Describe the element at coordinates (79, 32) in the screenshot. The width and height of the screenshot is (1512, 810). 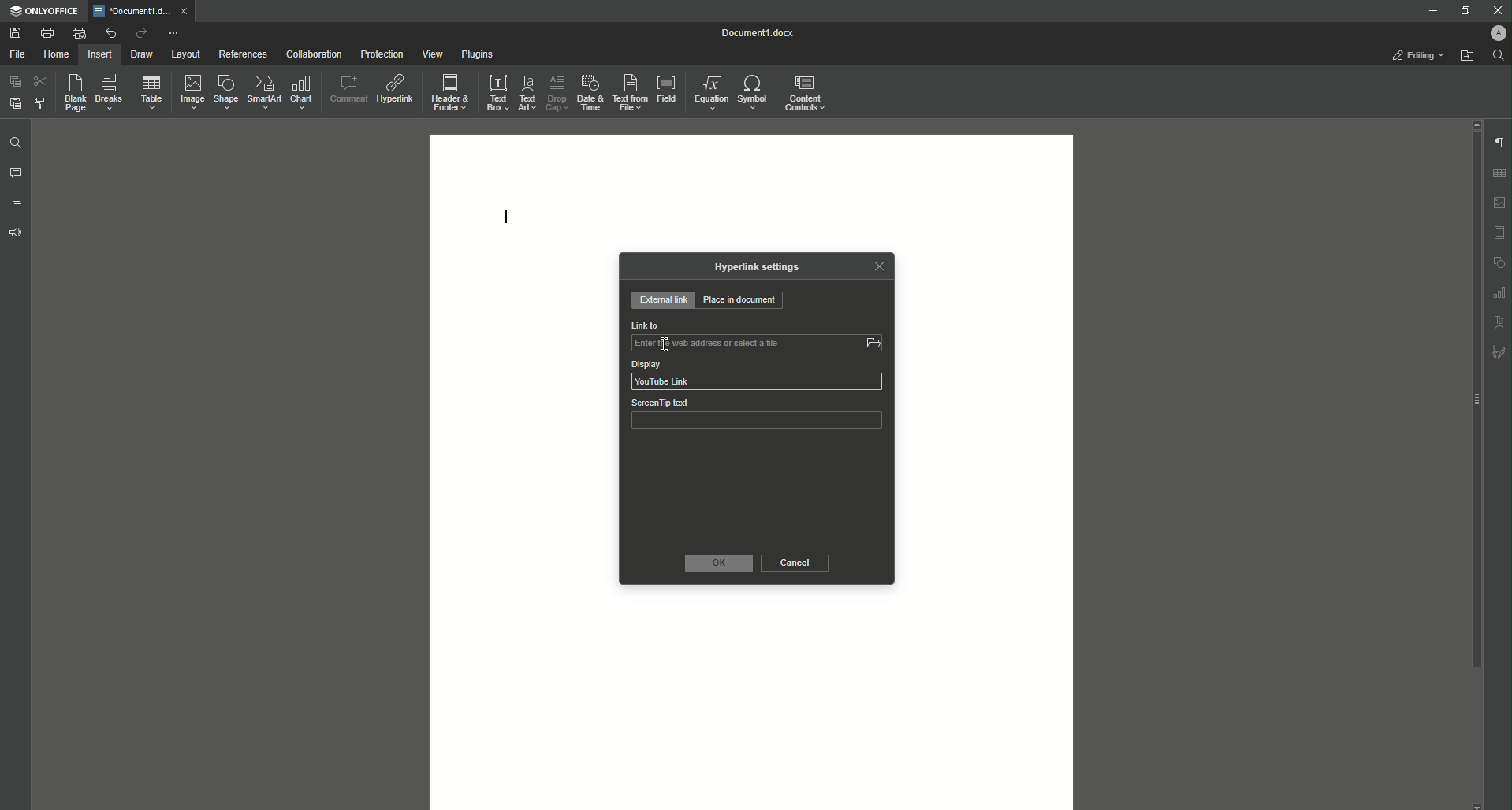
I see `Quick Print` at that location.